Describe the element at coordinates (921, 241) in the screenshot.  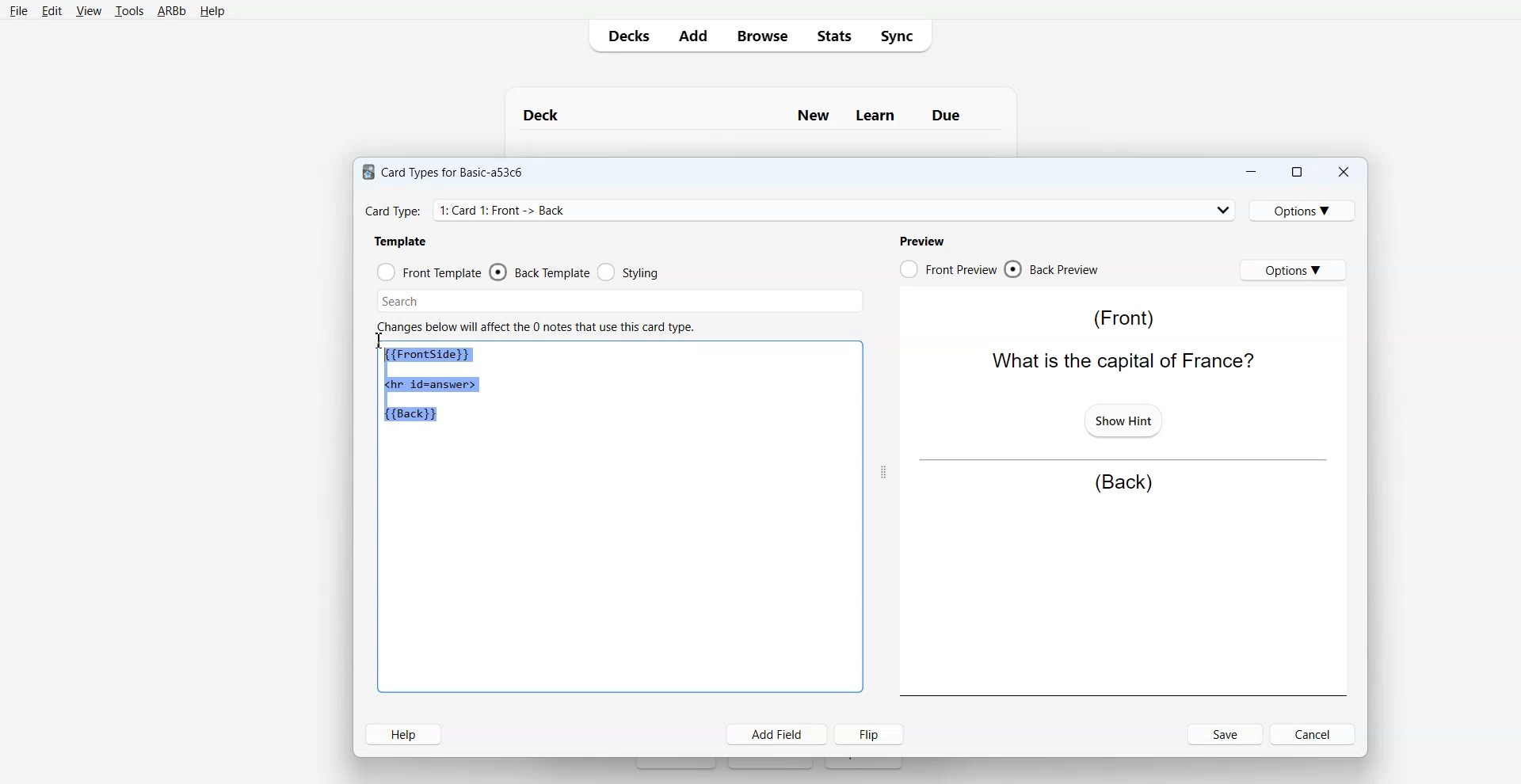
I see `Preview` at that location.